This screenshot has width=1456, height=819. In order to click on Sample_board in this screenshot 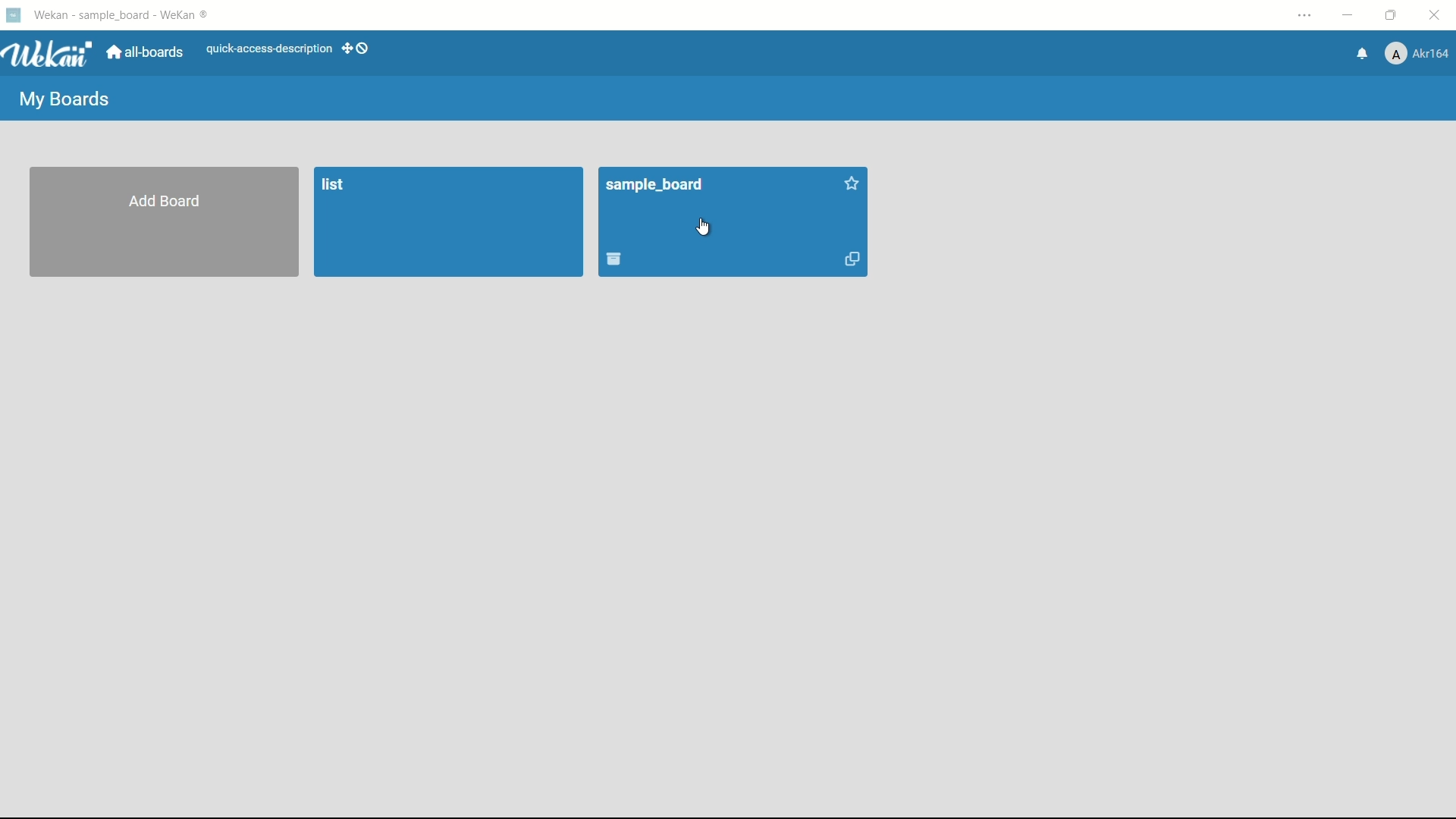, I will do `click(730, 223)`.